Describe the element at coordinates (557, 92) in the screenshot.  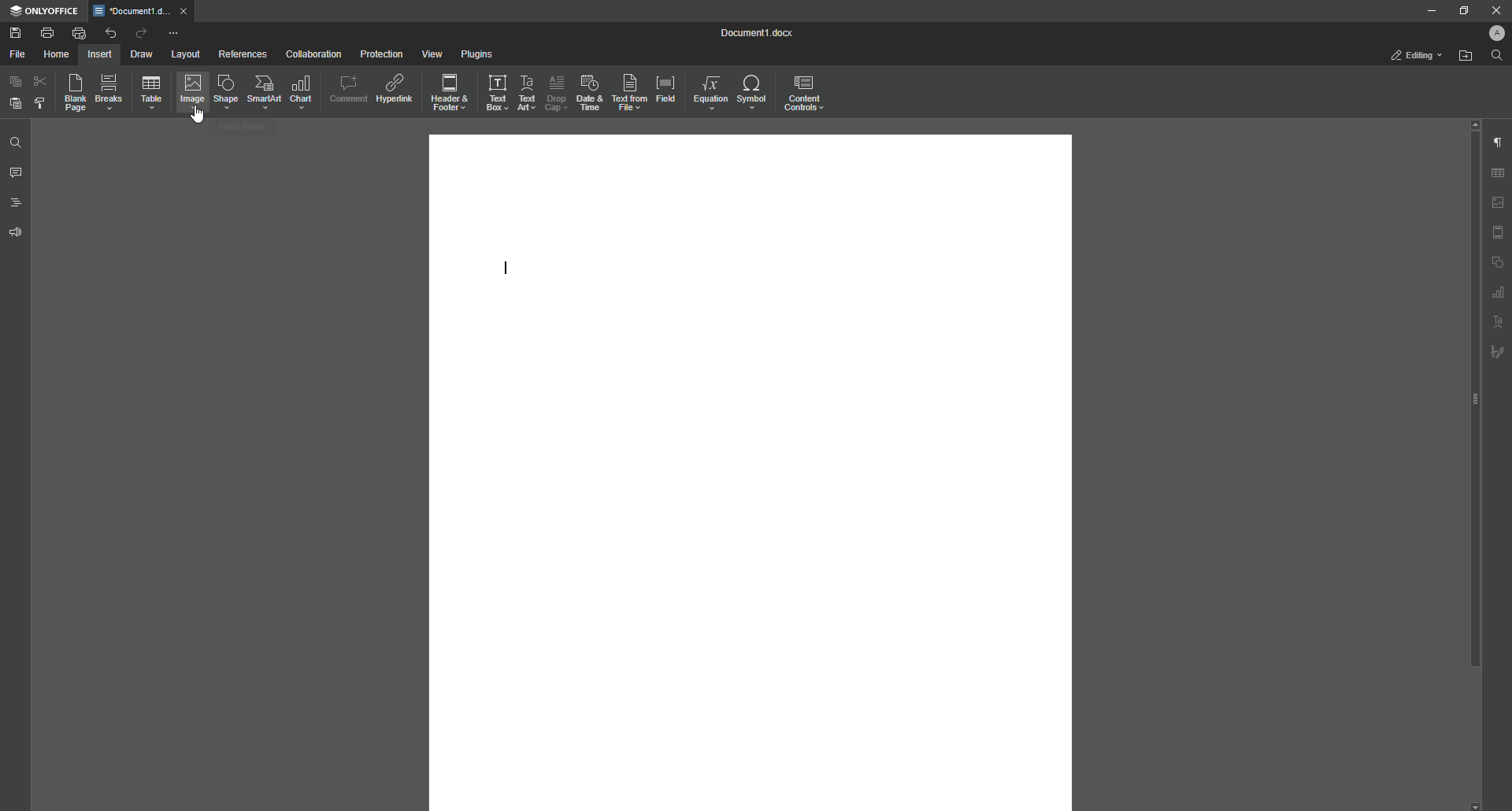
I see `Drop Cap` at that location.